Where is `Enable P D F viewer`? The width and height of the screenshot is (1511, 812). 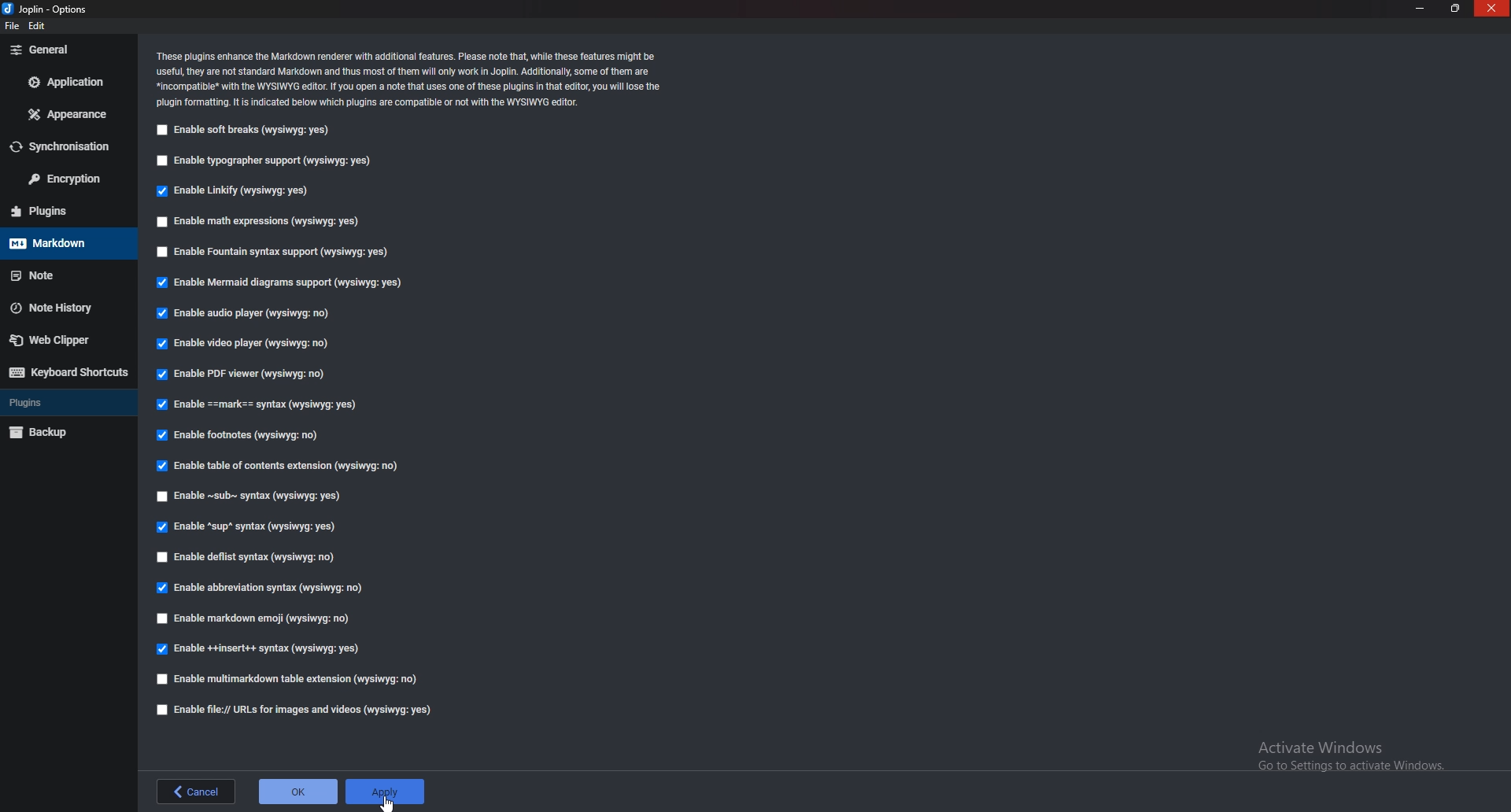 Enable P D F viewer is located at coordinates (240, 373).